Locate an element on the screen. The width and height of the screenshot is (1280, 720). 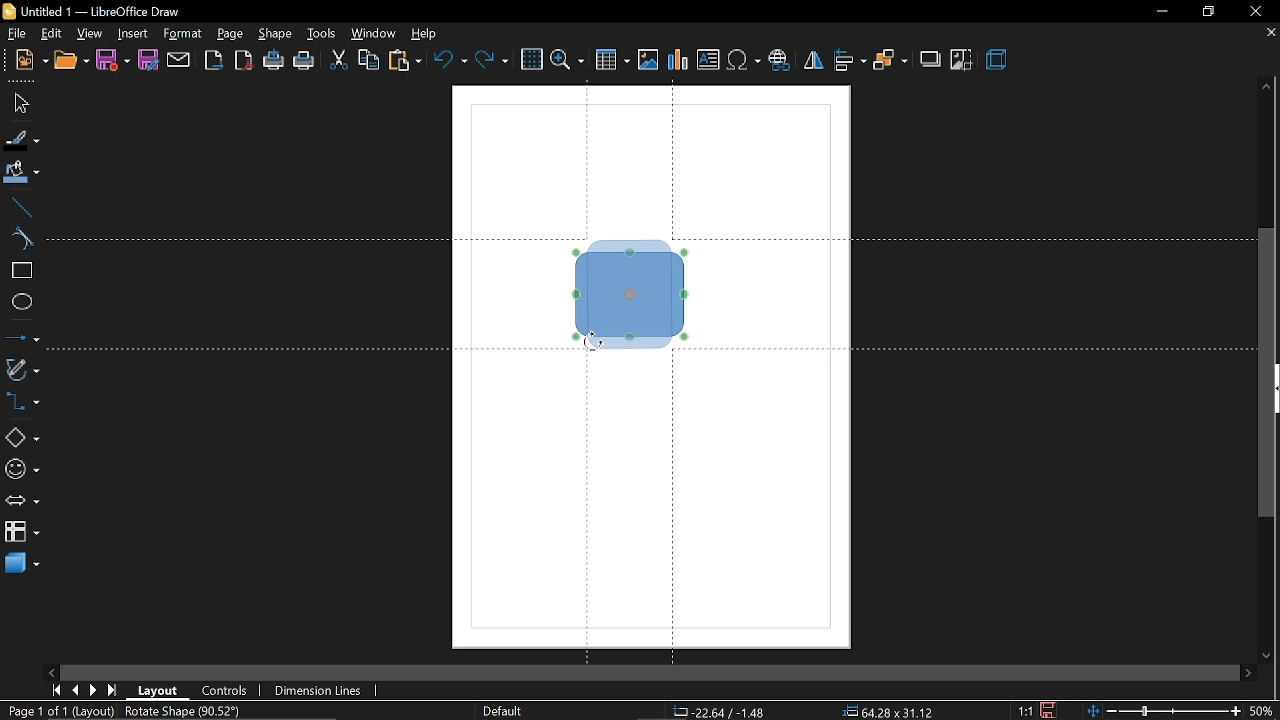
arrange is located at coordinates (890, 61).